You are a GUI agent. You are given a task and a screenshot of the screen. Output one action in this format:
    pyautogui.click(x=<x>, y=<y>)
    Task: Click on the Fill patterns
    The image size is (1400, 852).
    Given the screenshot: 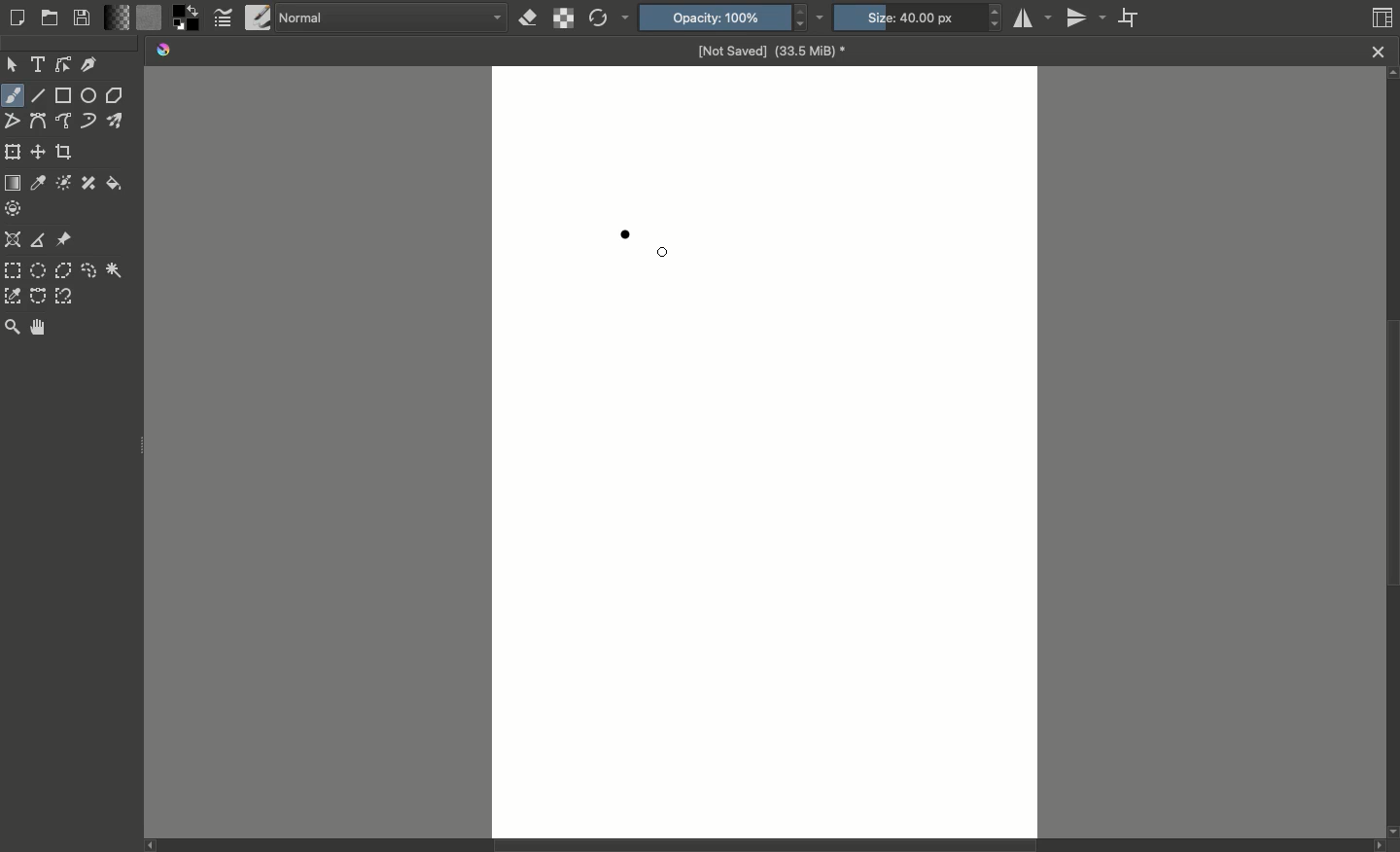 What is the action you would take?
    pyautogui.click(x=150, y=18)
    